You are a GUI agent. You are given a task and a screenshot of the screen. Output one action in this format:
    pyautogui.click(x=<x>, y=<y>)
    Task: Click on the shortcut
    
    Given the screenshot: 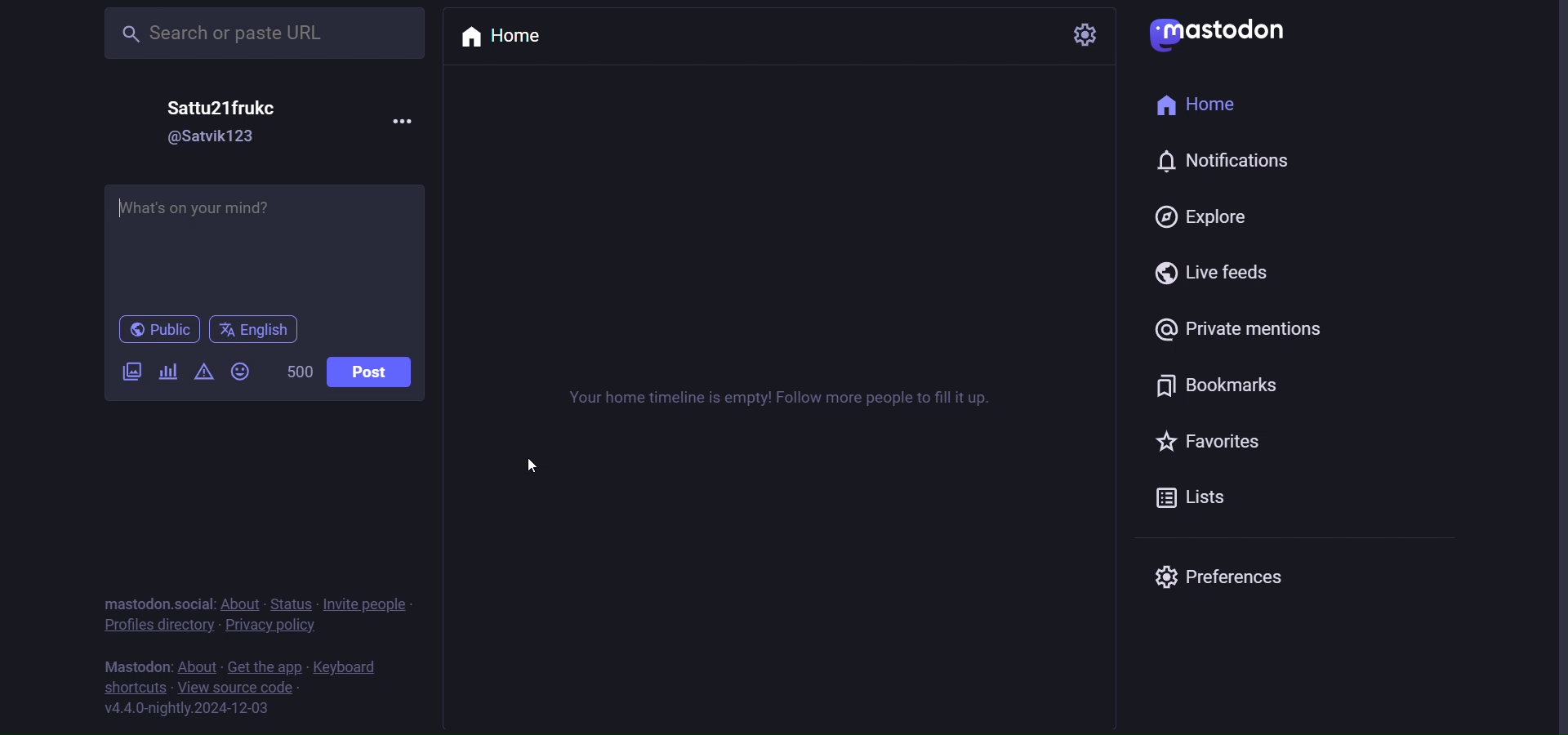 What is the action you would take?
    pyautogui.click(x=131, y=687)
    